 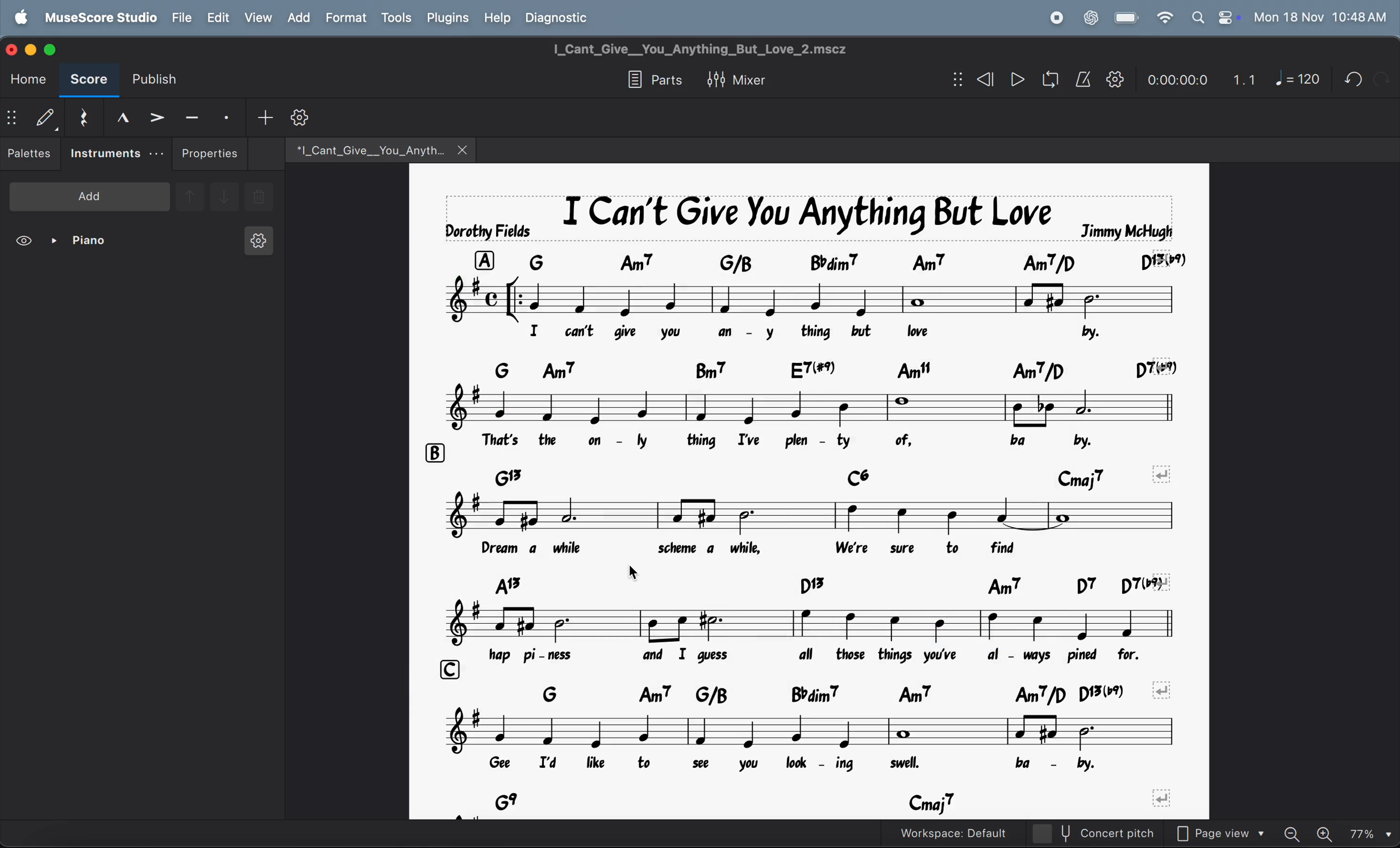 I want to click on uptone, so click(x=189, y=195).